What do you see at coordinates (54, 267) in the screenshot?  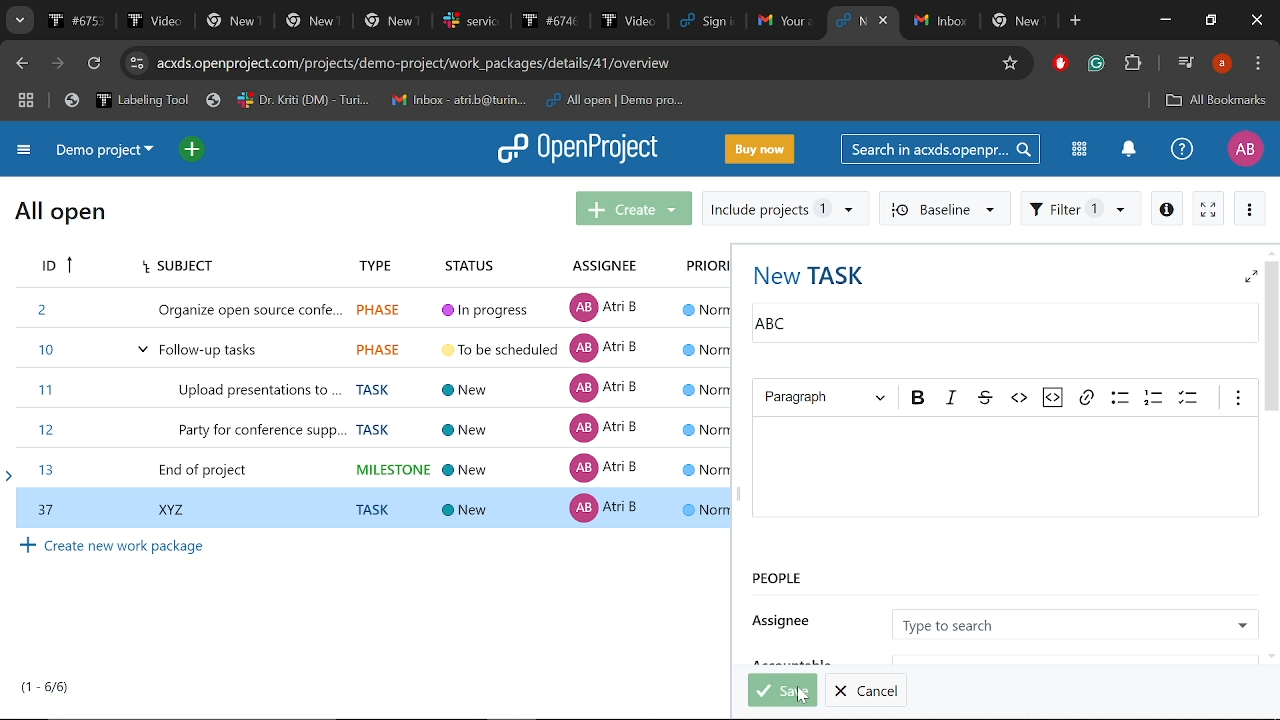 I see `Task Id` at bounding box center [54, 267].